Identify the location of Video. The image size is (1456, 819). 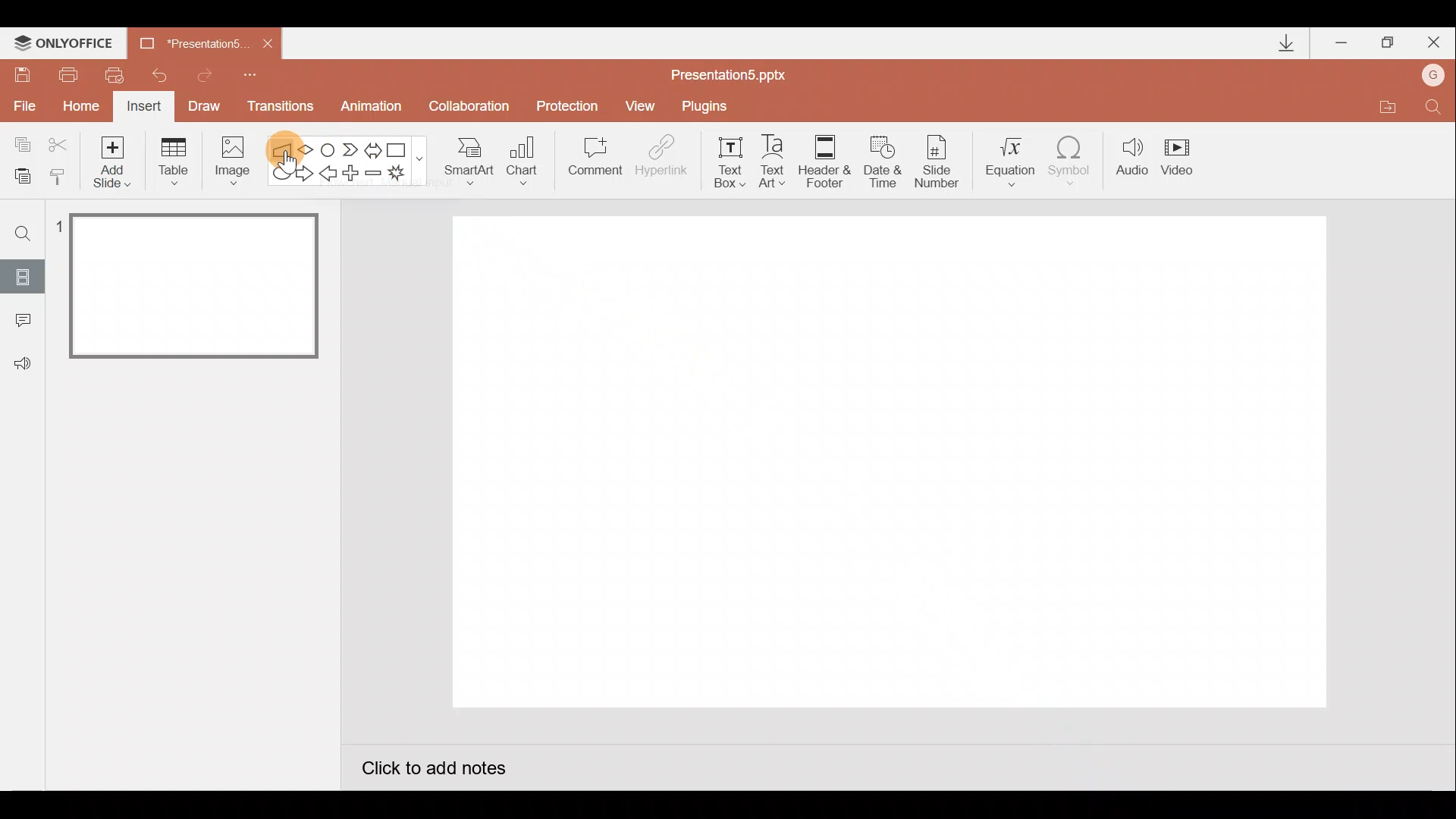
(1183, 158).